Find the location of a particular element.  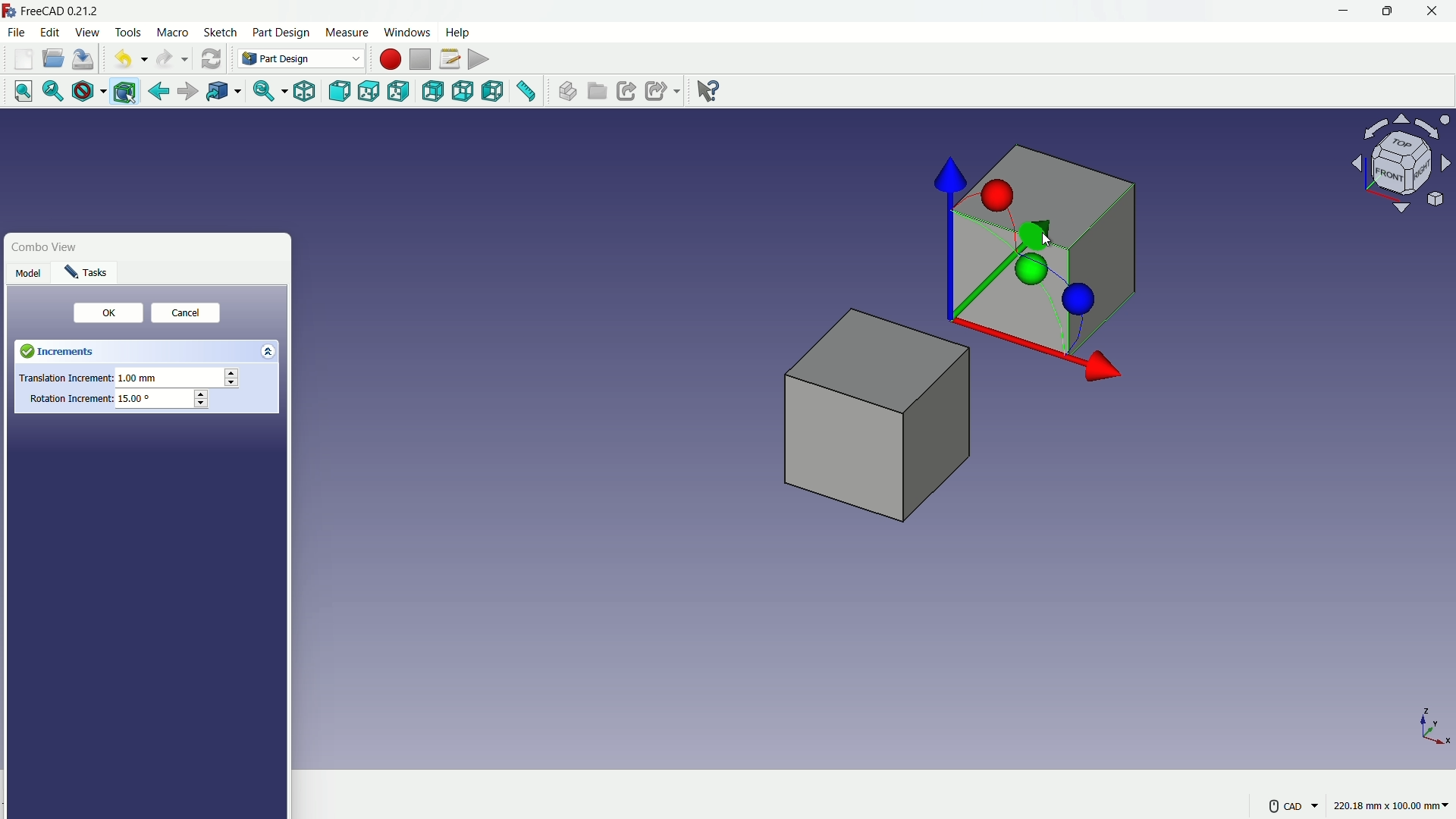

front view is located at coordinates (341, 92).